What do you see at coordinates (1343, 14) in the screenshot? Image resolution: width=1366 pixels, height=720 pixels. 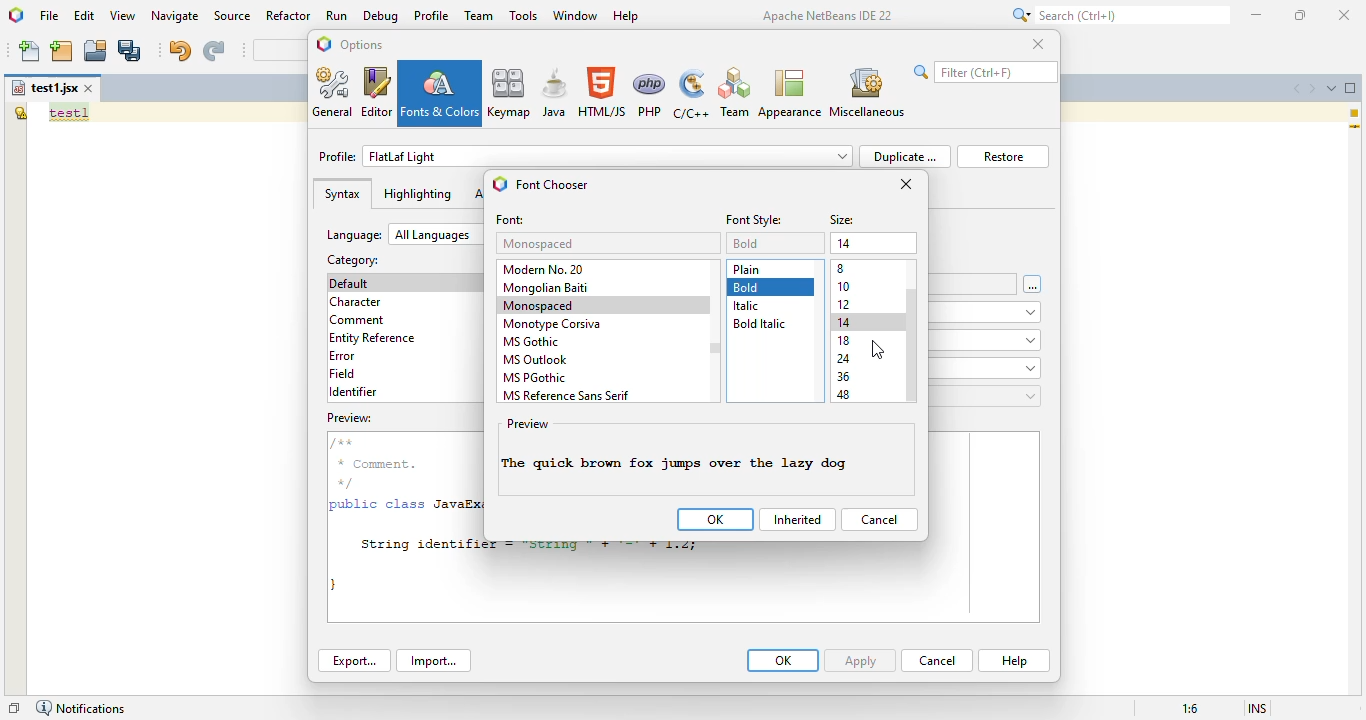 I see `close` at bounding box center [1343, 14].